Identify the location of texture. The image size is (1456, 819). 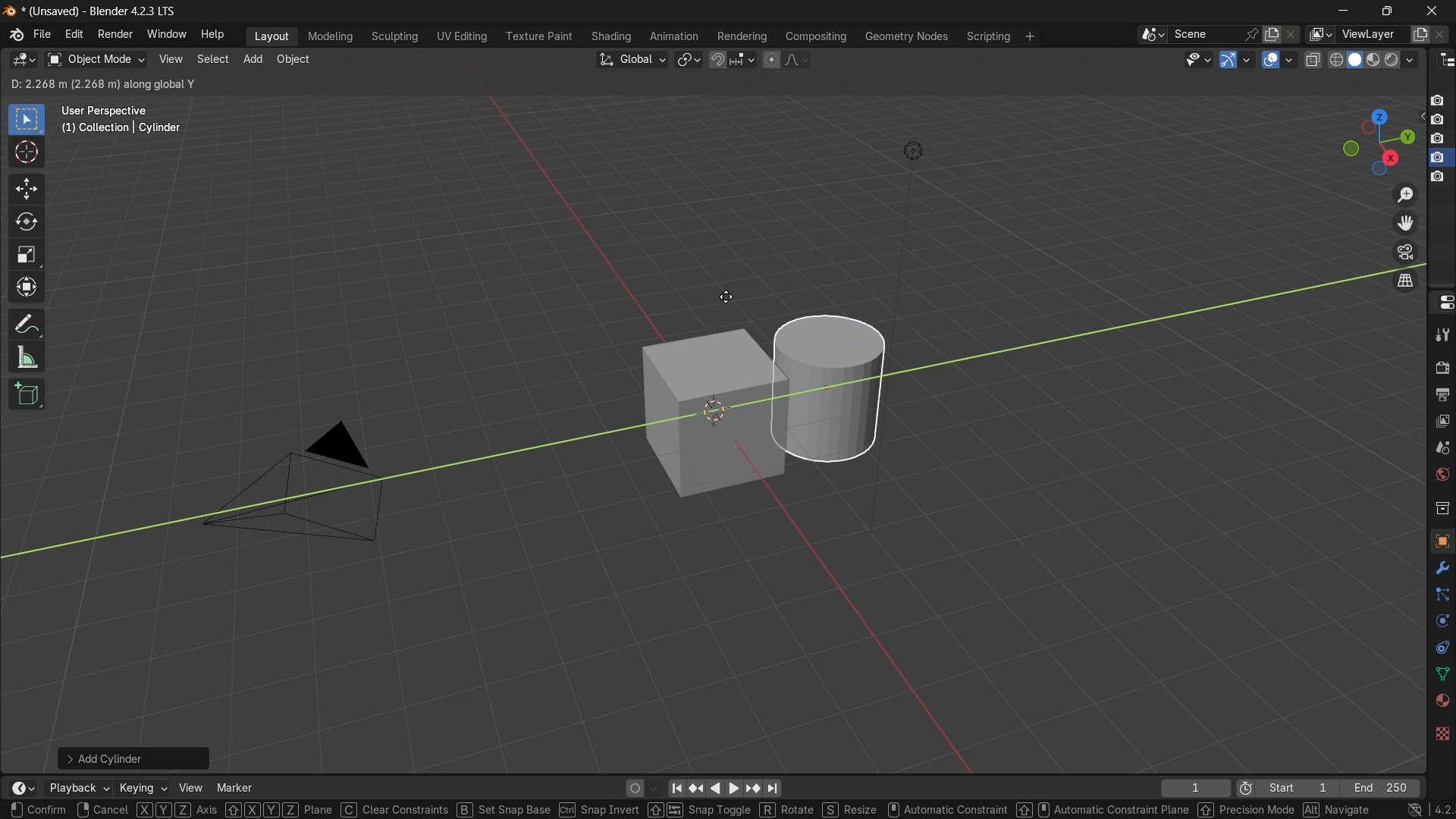
(1441, 541).